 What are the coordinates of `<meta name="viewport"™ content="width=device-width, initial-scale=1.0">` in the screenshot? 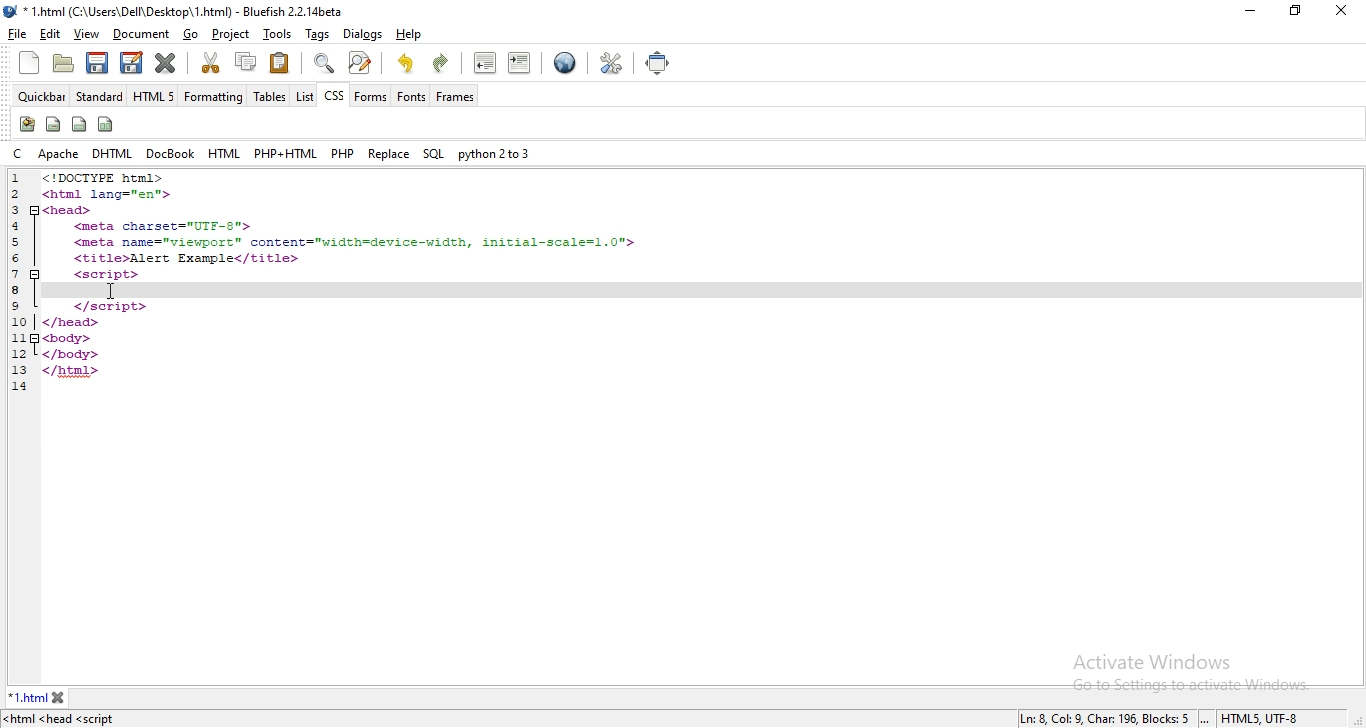 It's located at (355, 242).